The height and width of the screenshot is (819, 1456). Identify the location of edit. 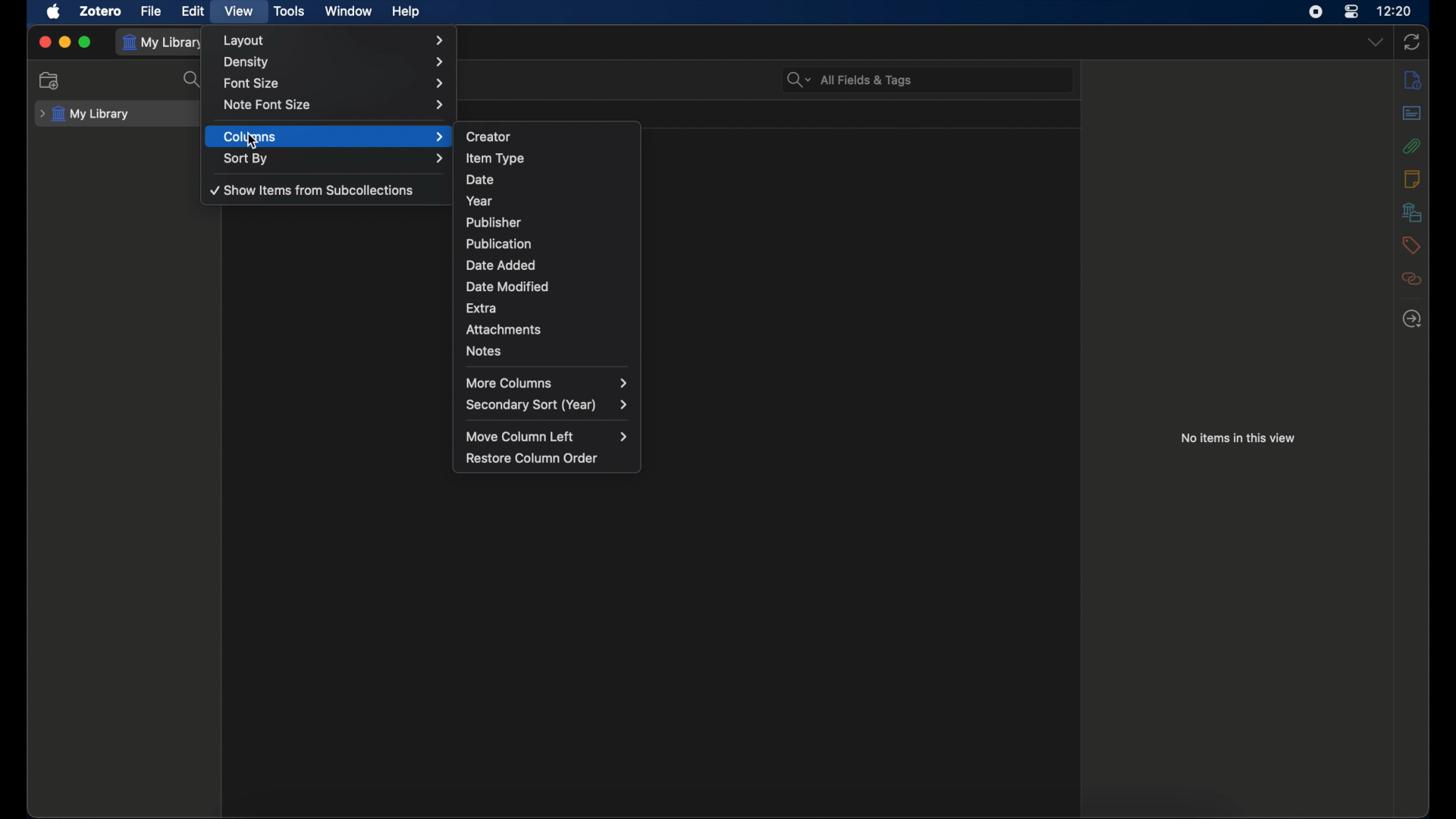
(194, 11).